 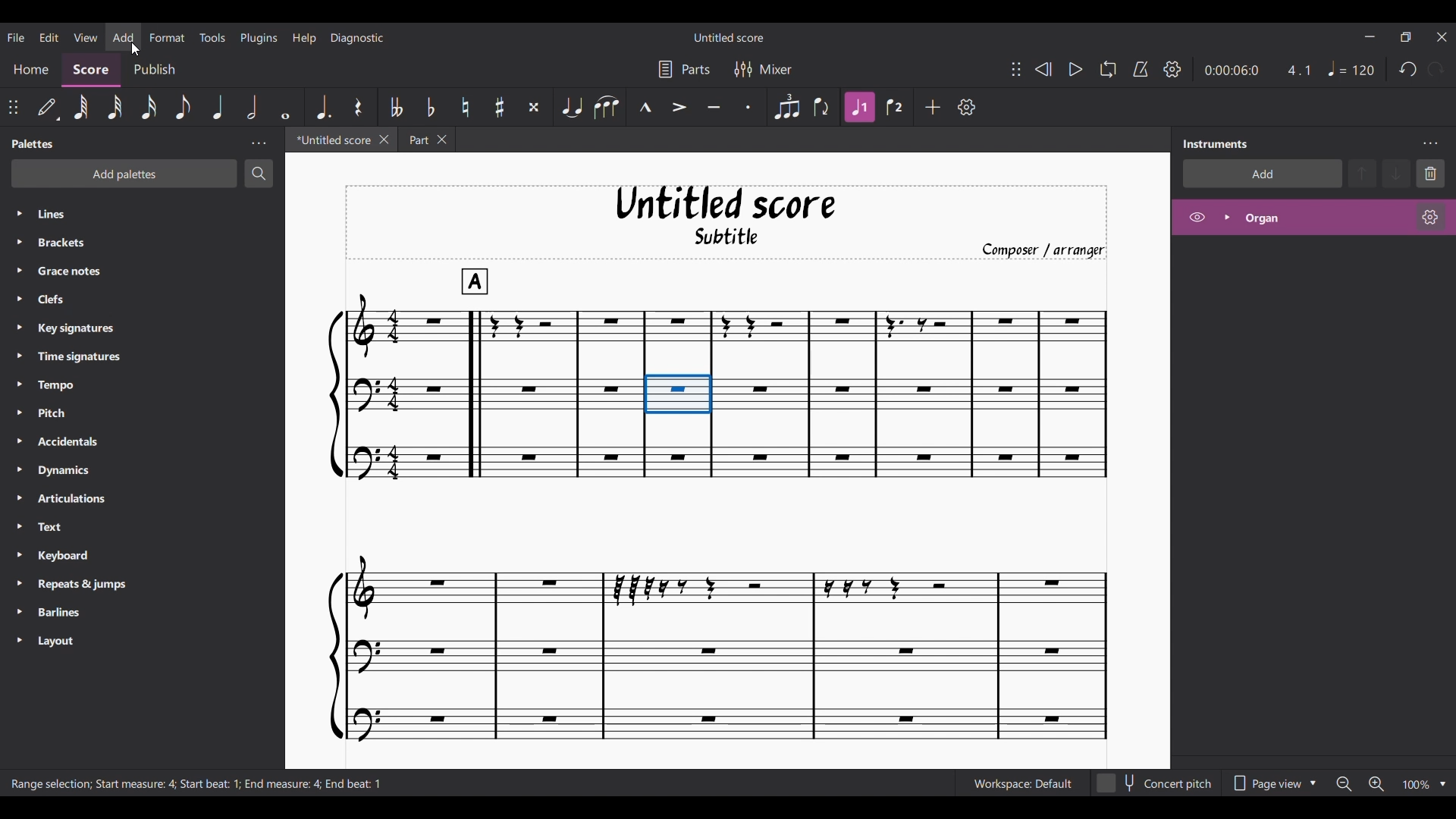 I want to click on Tenuto, so click(x=714, y=108).